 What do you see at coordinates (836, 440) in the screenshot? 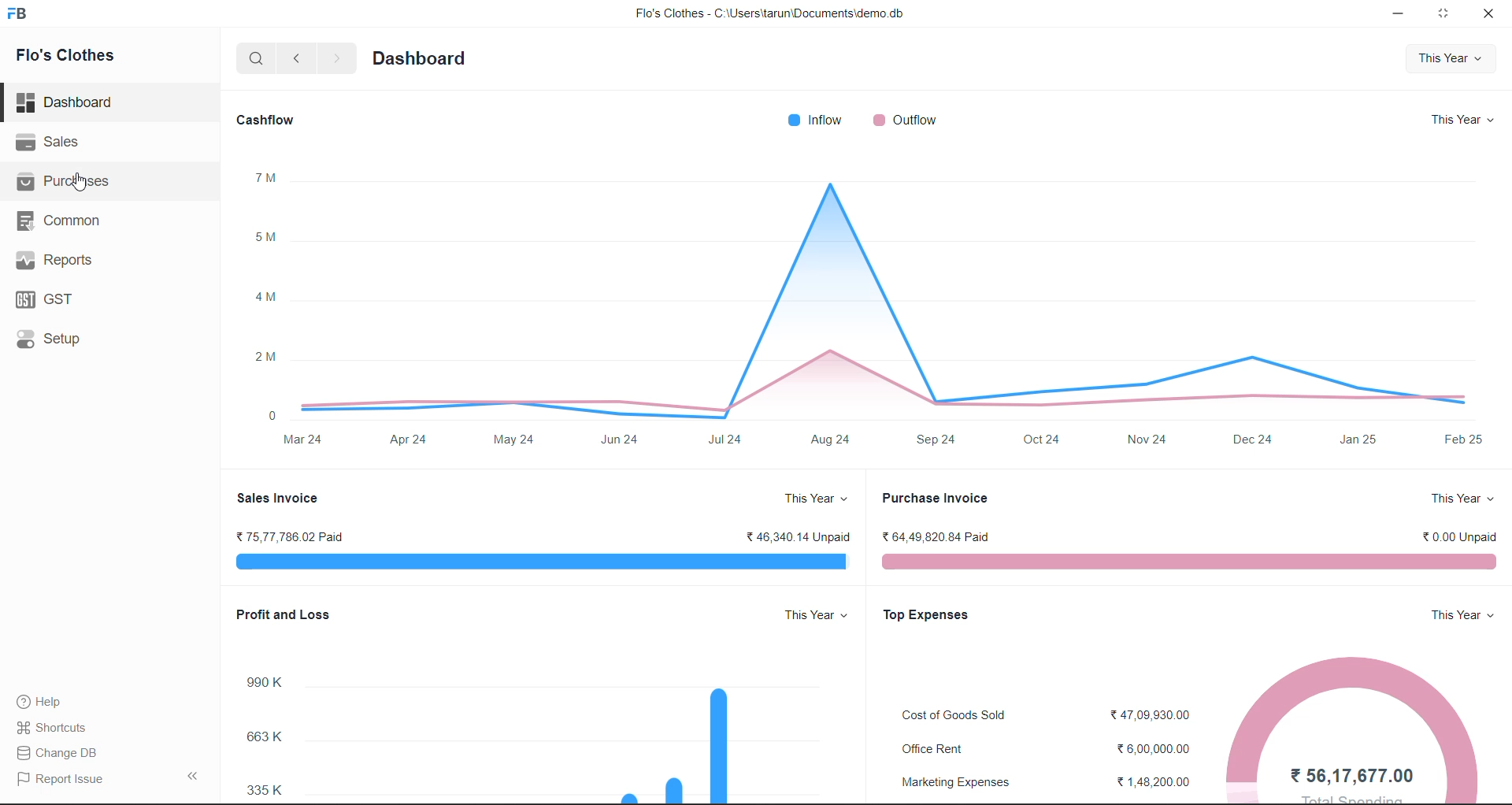
I see `Aug 24` at bounding box center [836, 440].